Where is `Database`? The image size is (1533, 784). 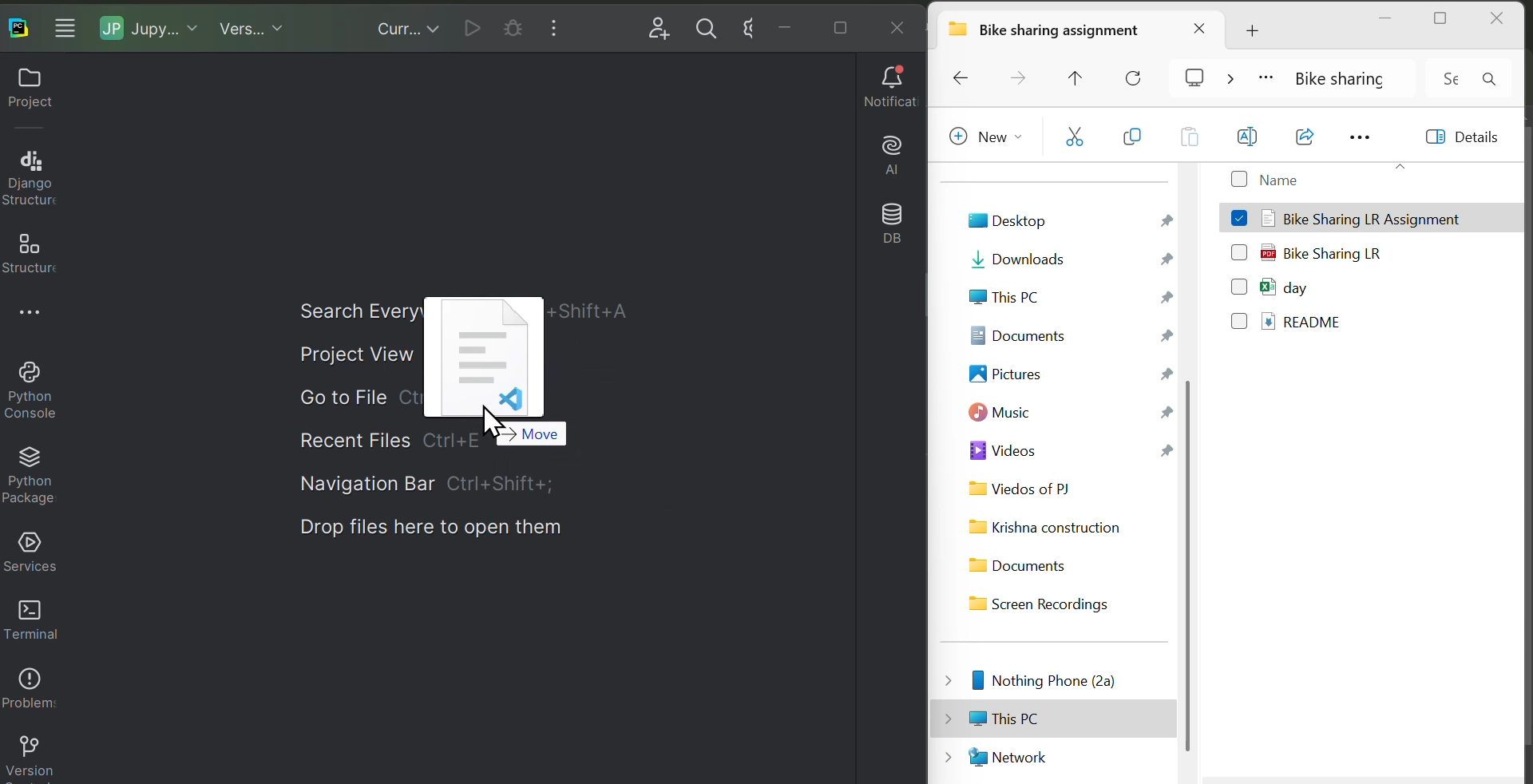 Database is located at coordinates (885, 221).